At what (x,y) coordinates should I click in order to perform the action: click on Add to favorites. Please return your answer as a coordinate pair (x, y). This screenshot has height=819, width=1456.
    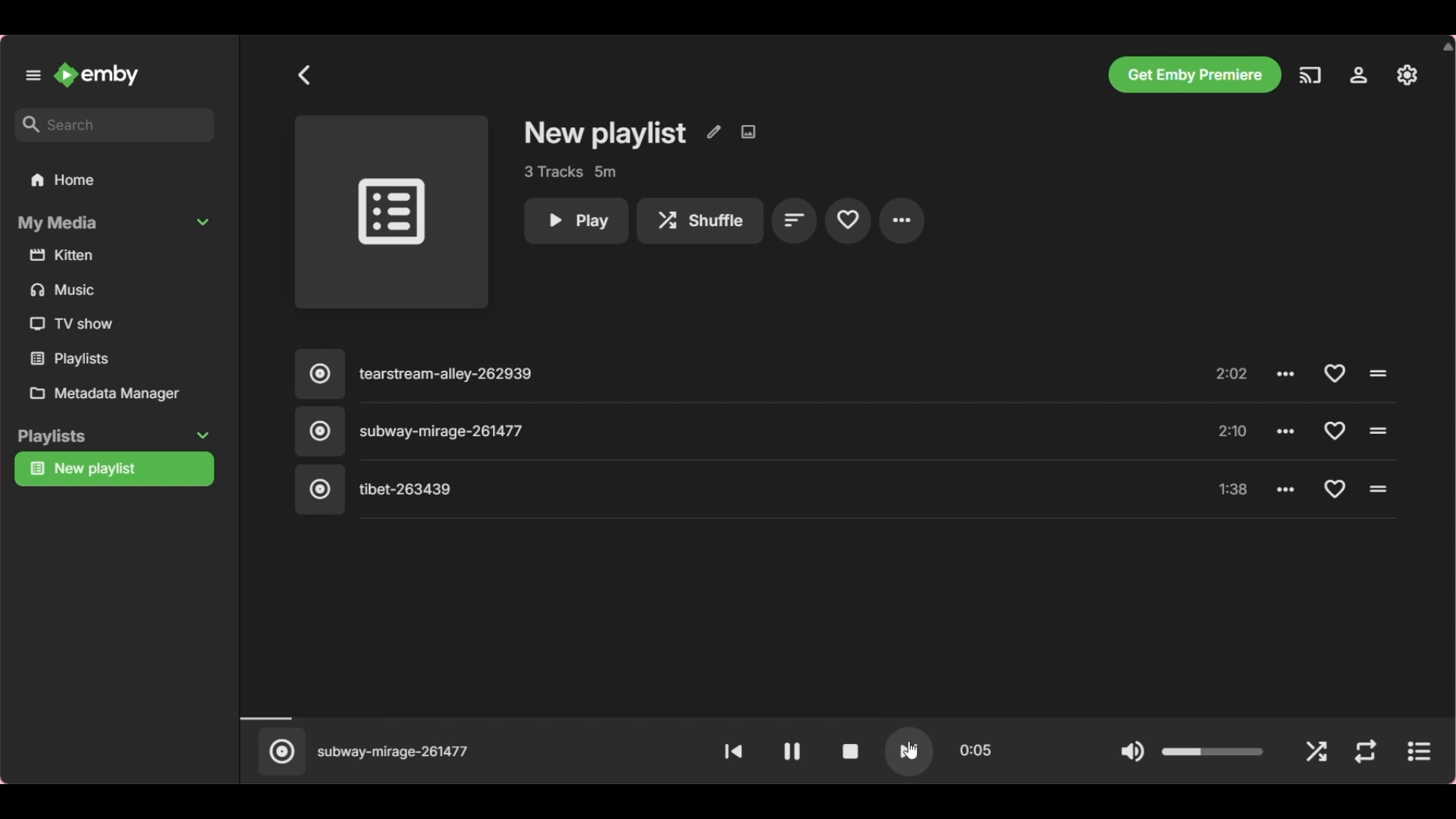
    Looking at the image, I should click on (847, 221).